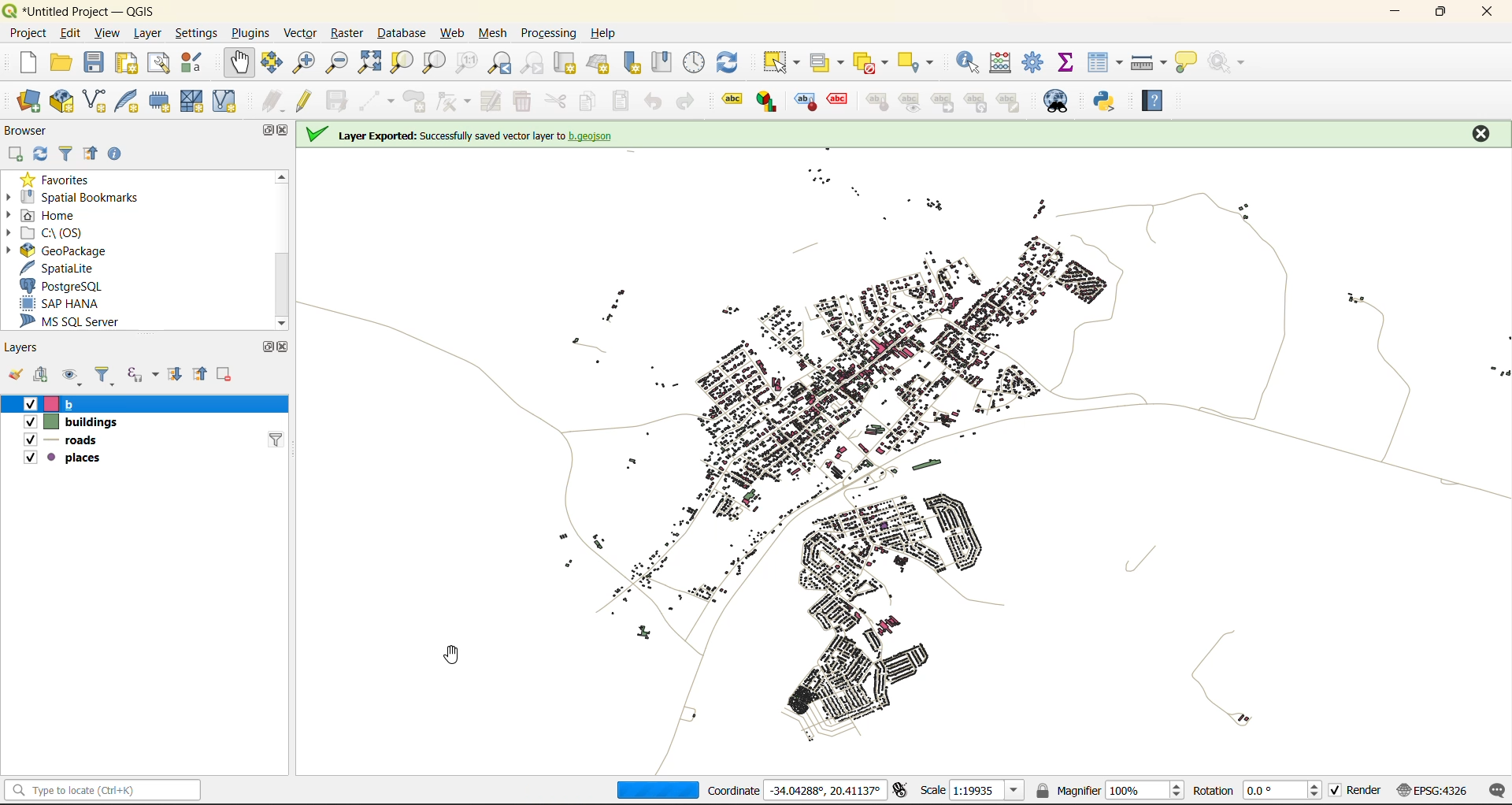  Describe the element at coordinates (1027, 87) in the screenshot. I see `close` at that location.